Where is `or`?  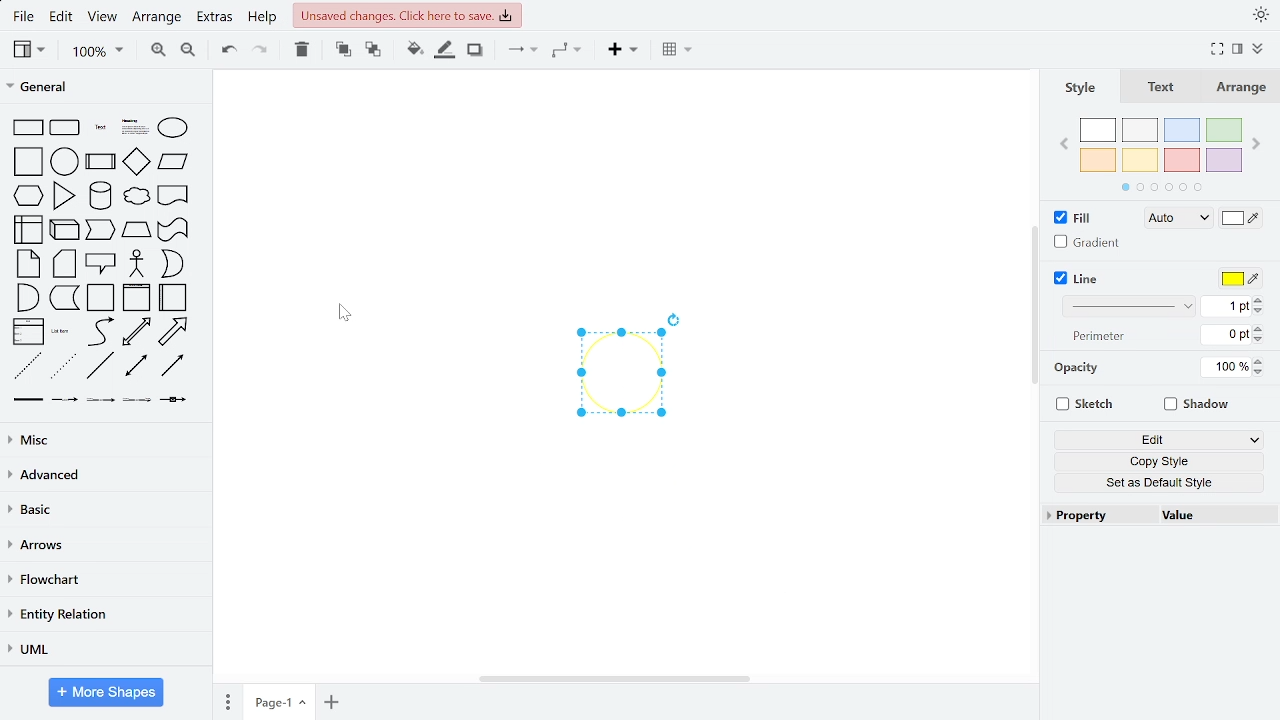 or is located at coordinates (173, 263).